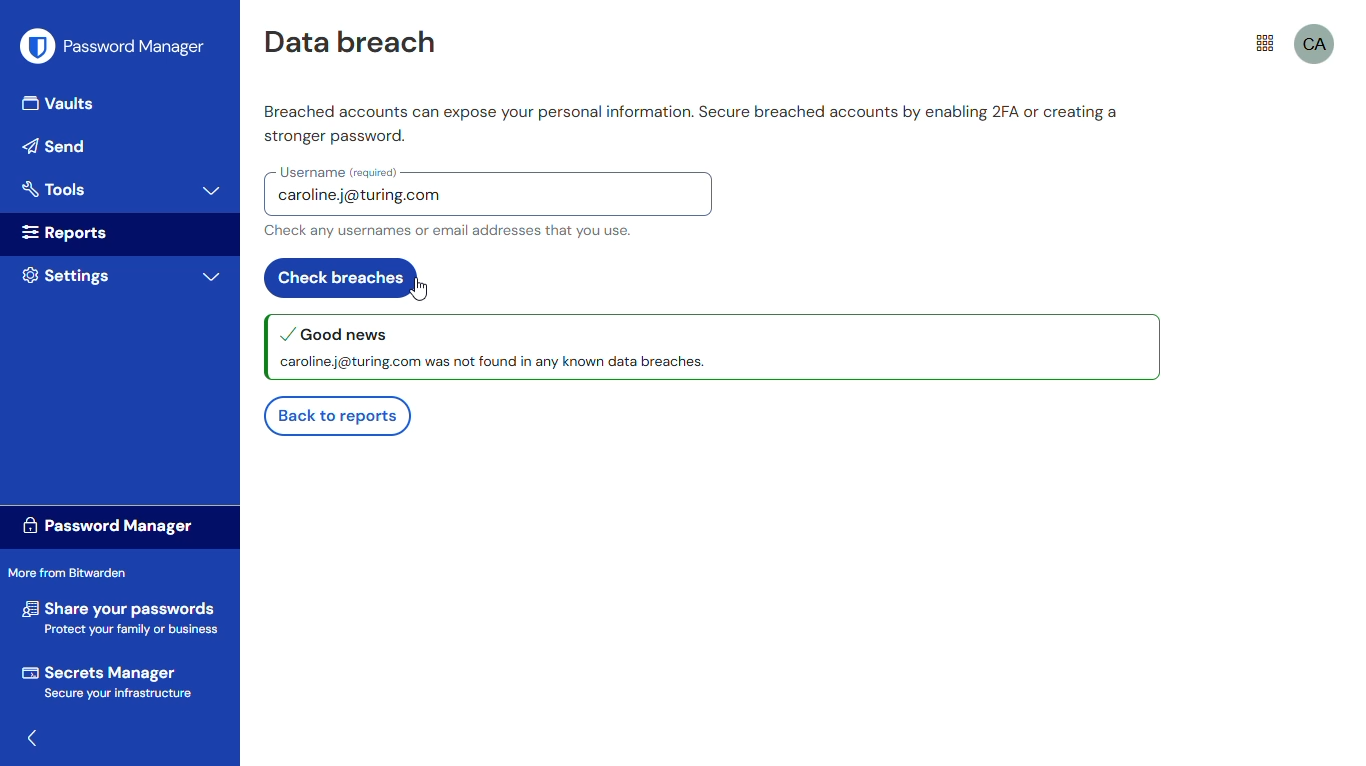 The width and height of the screenshot is (1366, 766). What do you see at coordinates (350, 40) in the screenshot?
I see `data breach` at bounding box center [350, 40].